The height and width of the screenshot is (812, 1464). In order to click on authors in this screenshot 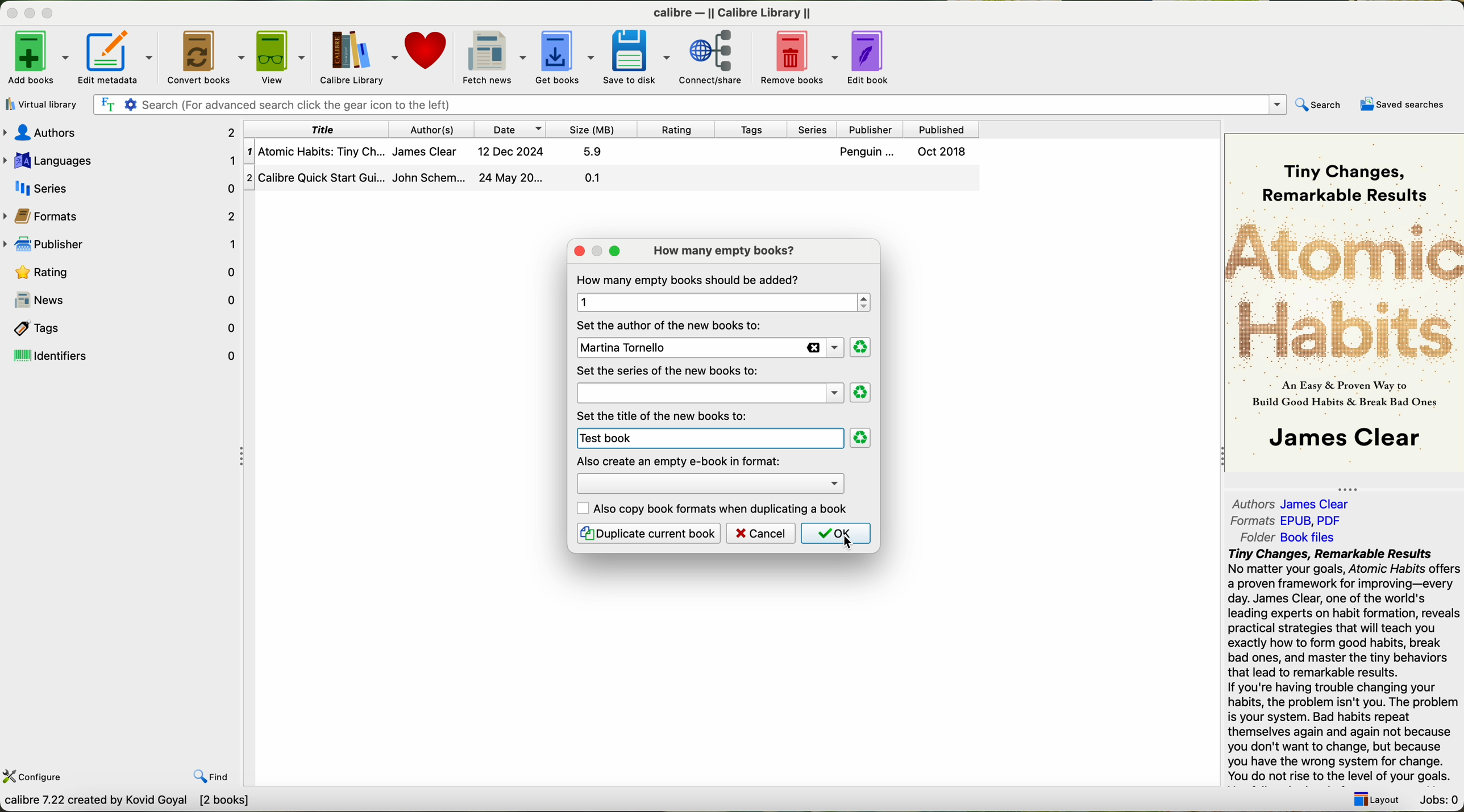, I will do `click(436, 129)`.